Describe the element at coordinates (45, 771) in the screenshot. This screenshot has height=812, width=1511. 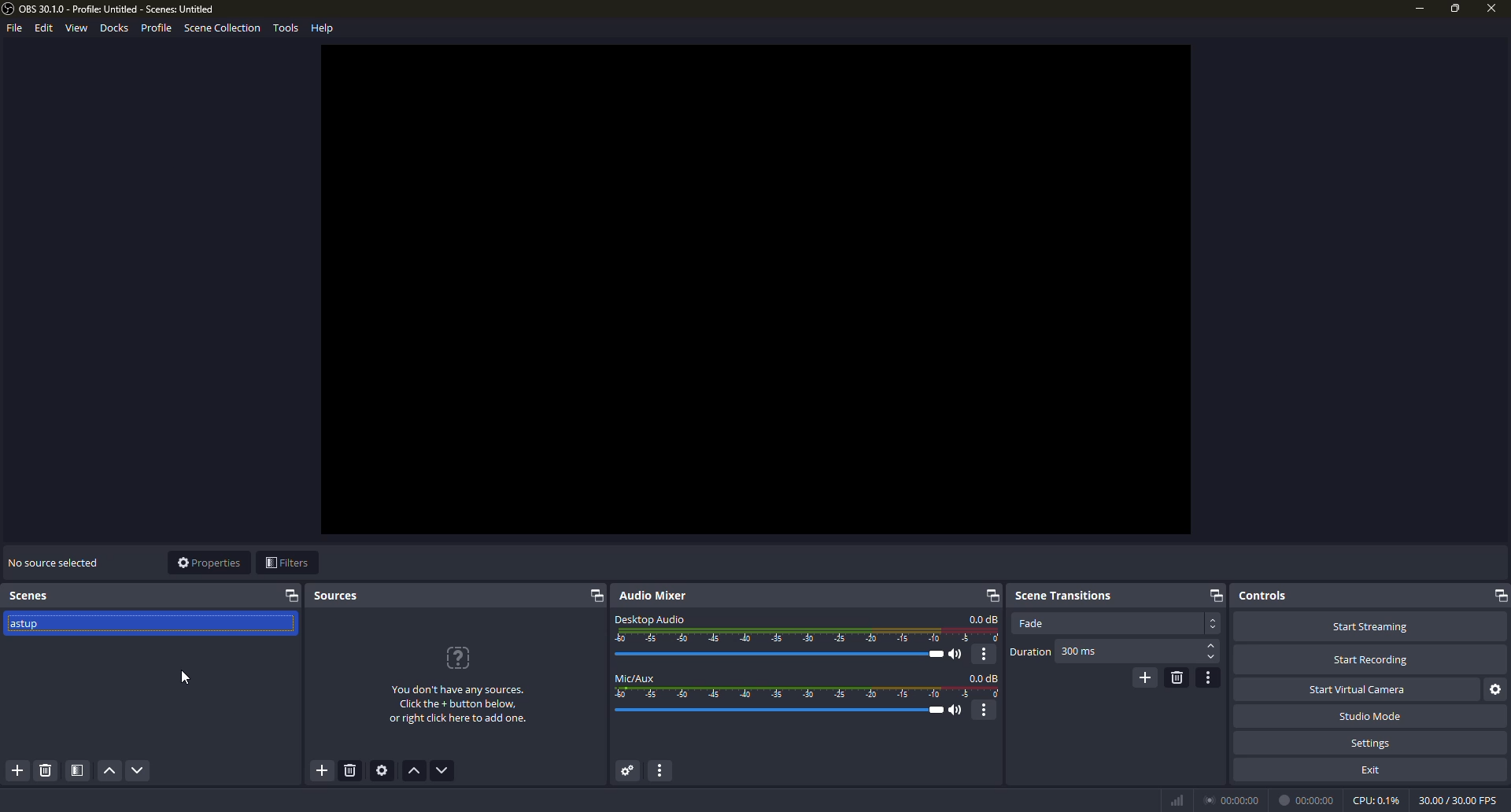
I see `remove selected scene` at that location.